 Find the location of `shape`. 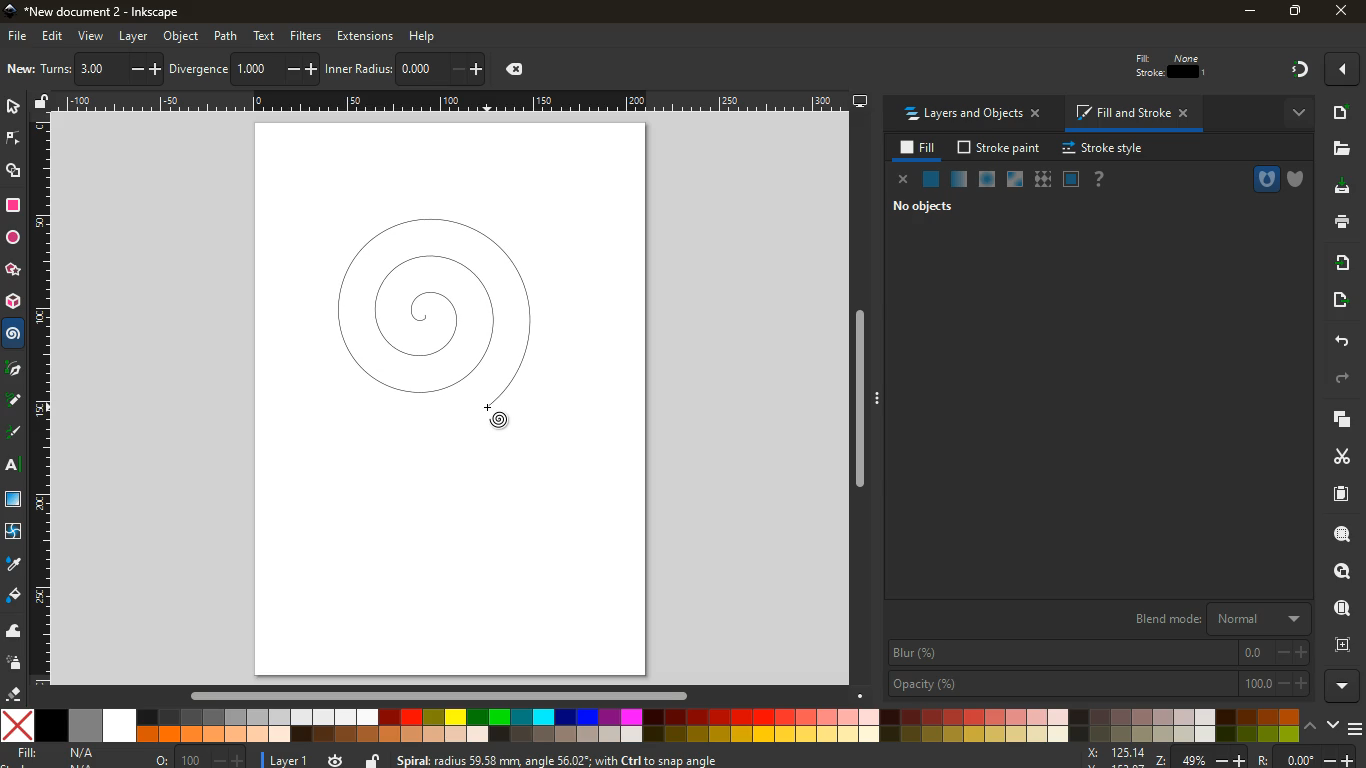

shape is located at coordinates (15, 173).